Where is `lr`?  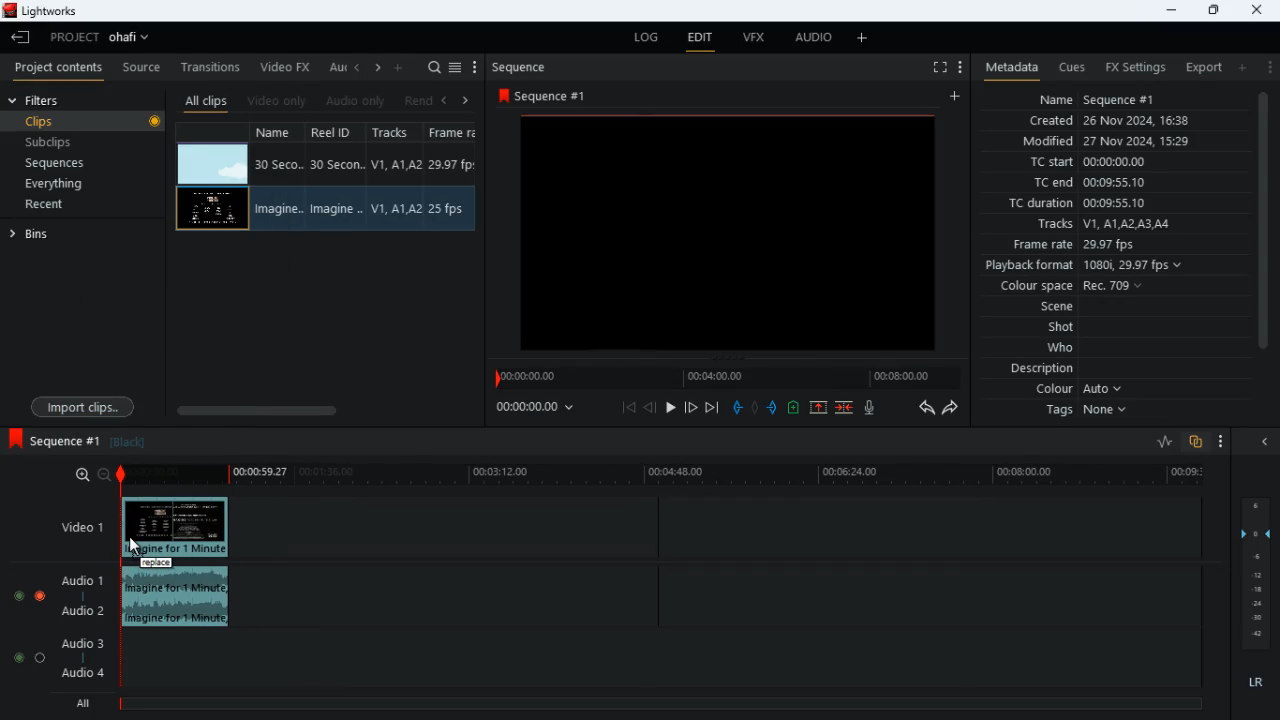
lr is located at coordinates (1258, 685).